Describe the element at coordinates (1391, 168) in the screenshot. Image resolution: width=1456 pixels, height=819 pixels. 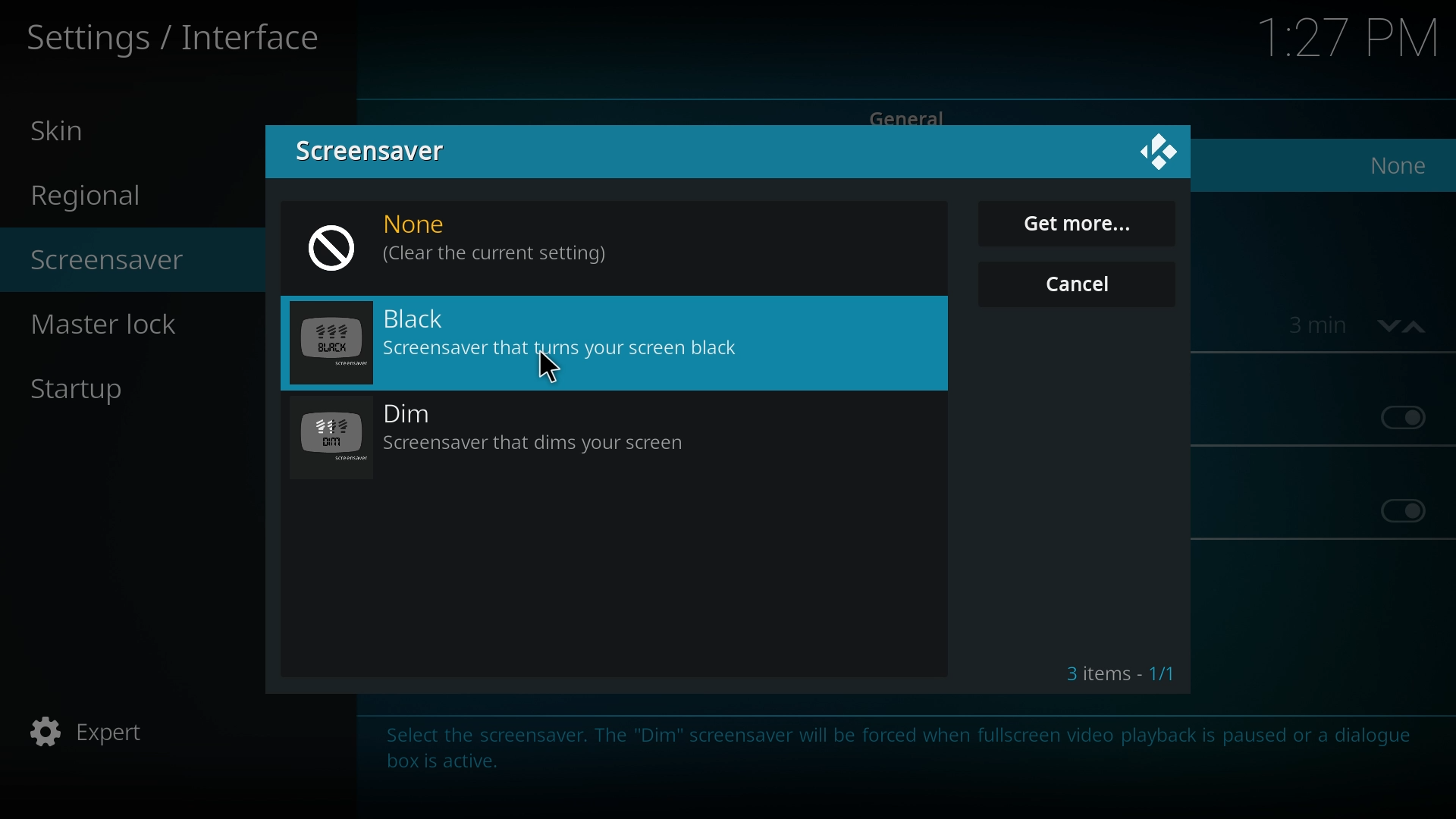
I see `none` at that location.